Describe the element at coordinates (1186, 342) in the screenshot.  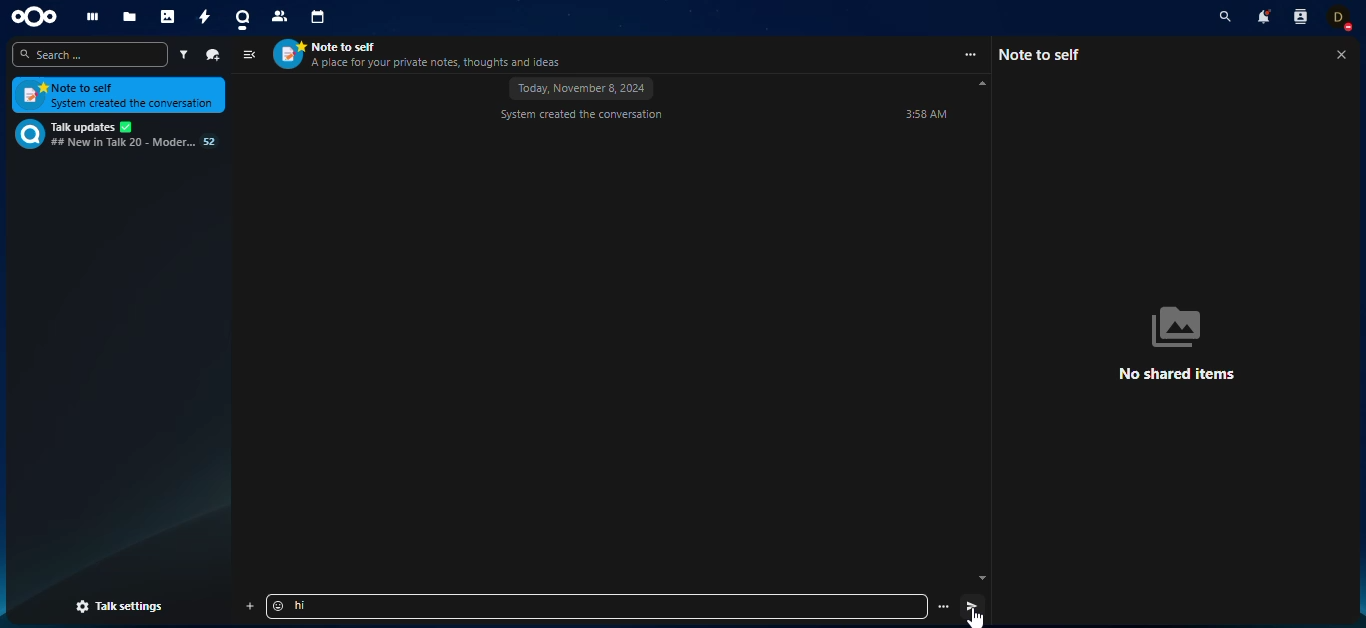
I see `no shared items` at that location.